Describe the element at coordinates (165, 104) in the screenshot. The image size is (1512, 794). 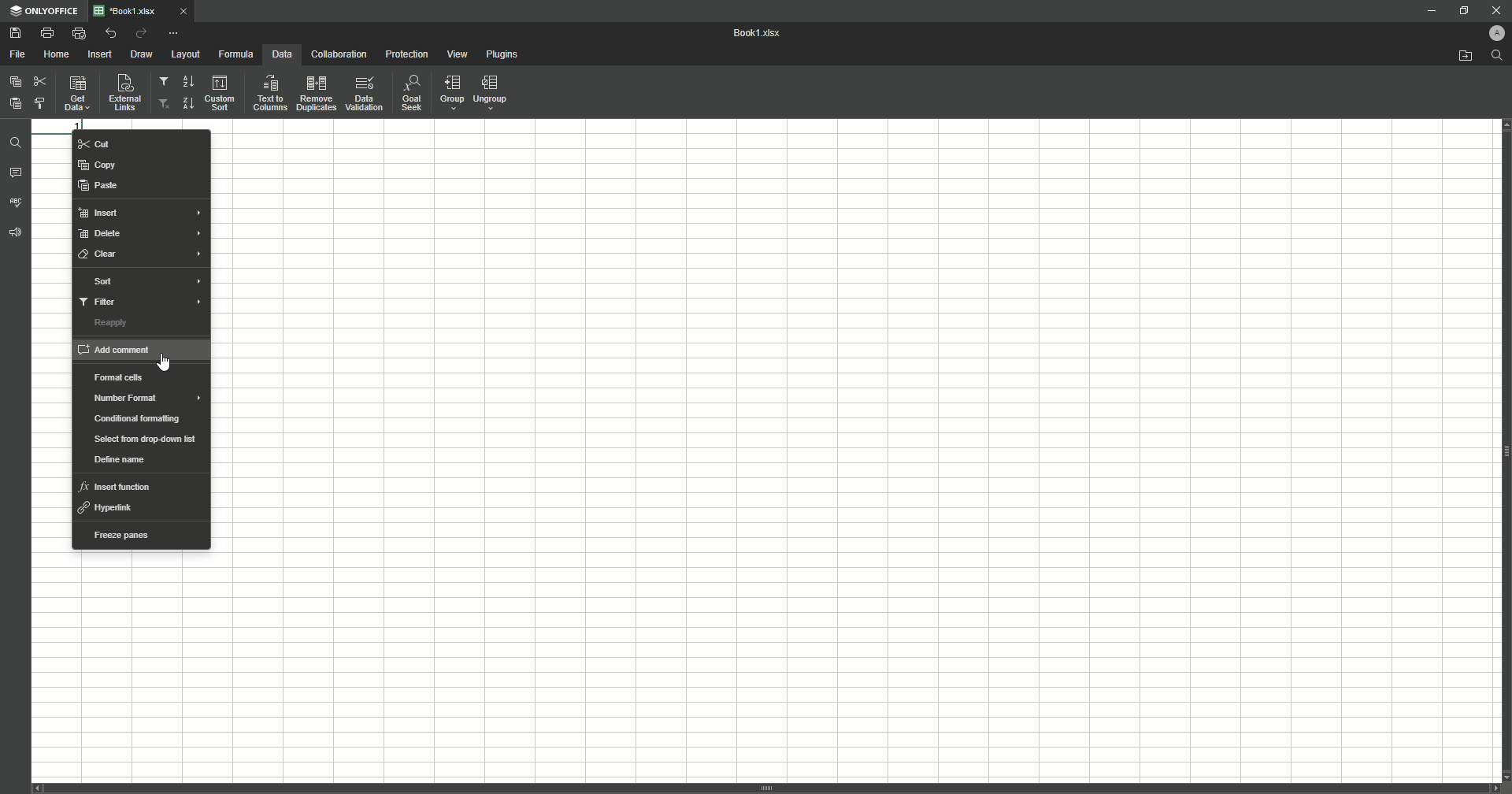
I see `Remove Filter` at that location.